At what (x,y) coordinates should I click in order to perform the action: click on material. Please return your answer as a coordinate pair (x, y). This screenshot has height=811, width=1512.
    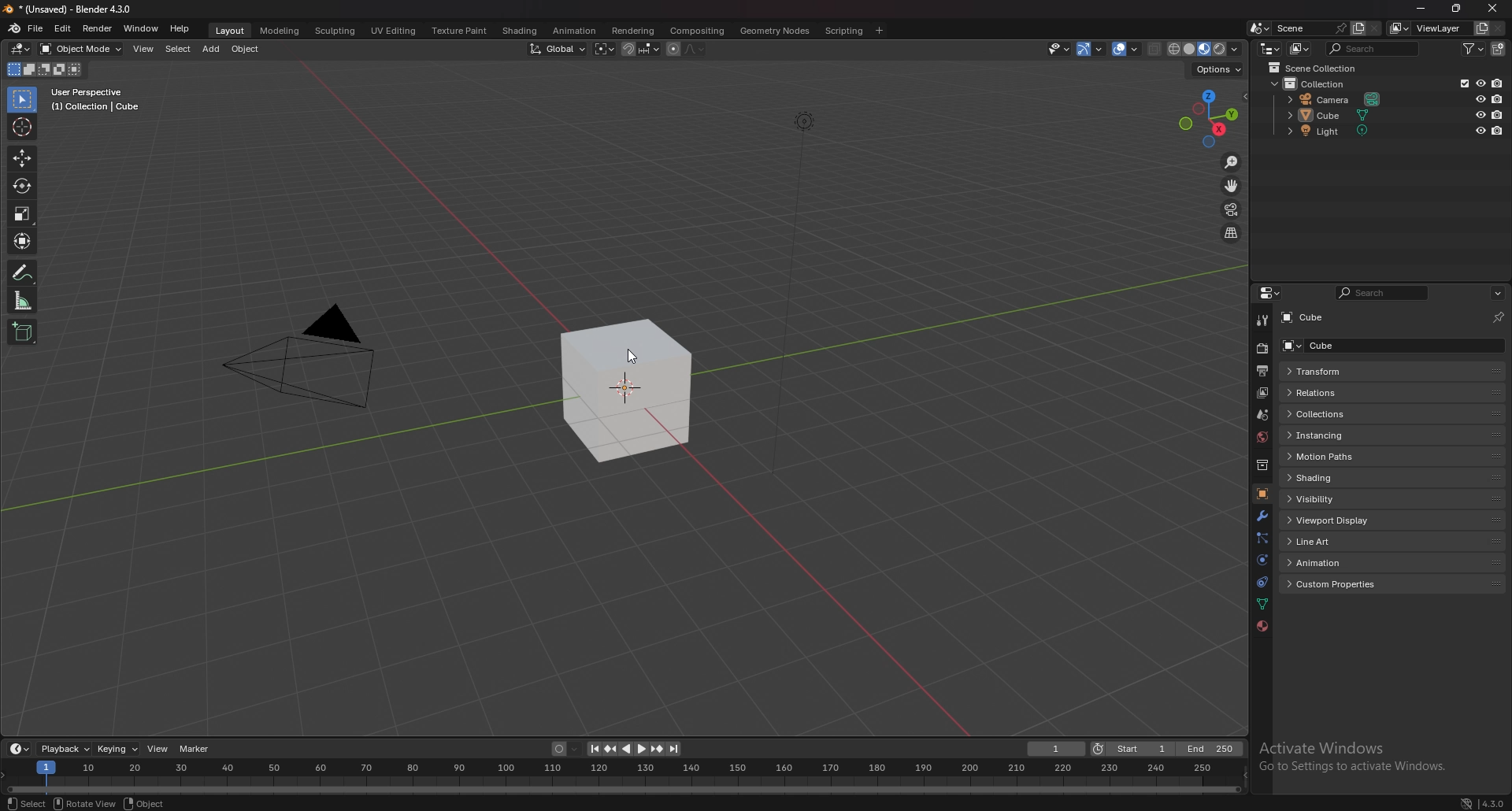
    Looking at the image, I should click on (1262, 627).